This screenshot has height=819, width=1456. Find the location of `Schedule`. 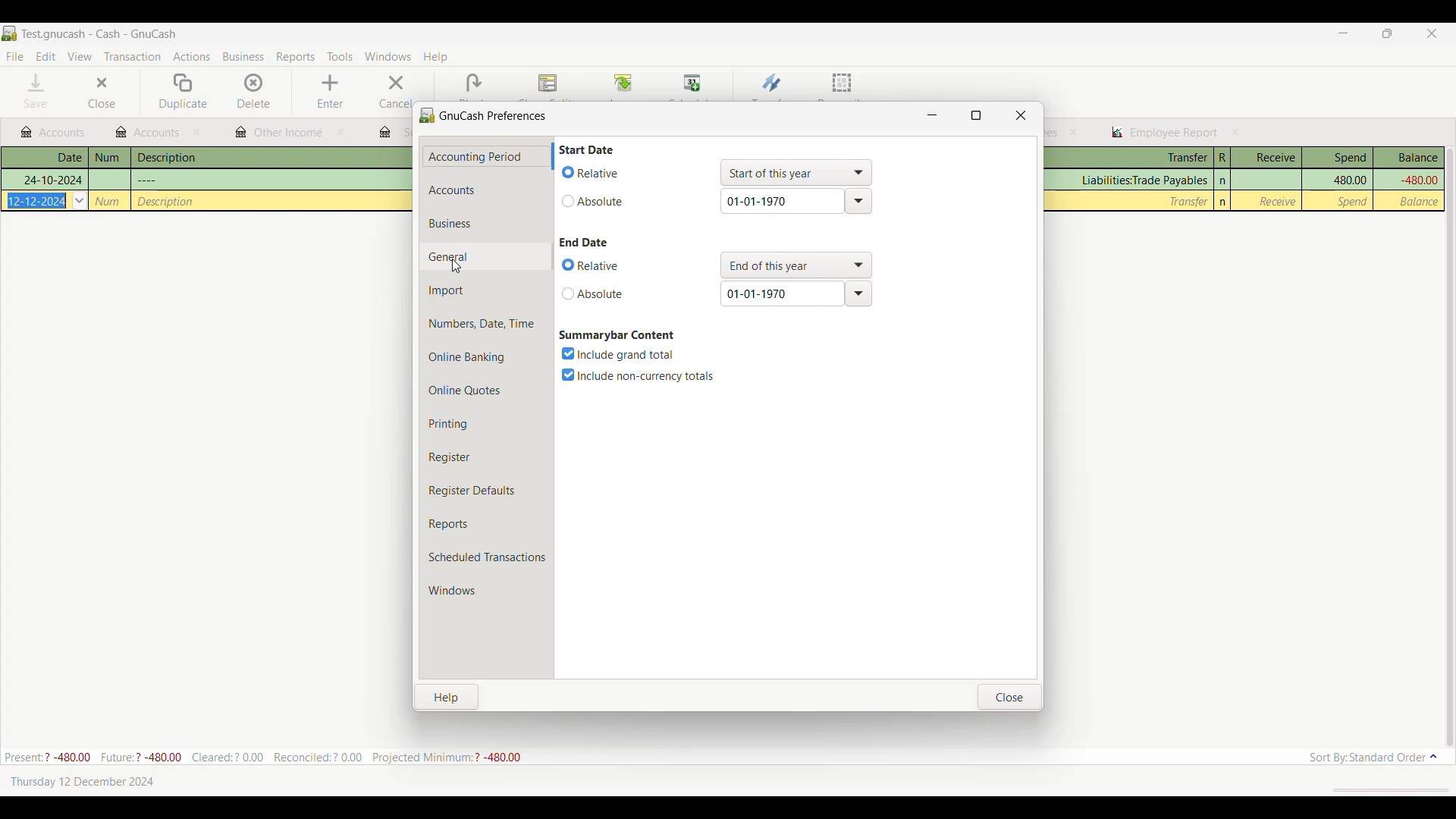

Schedule is located at coordinates (693, 83).